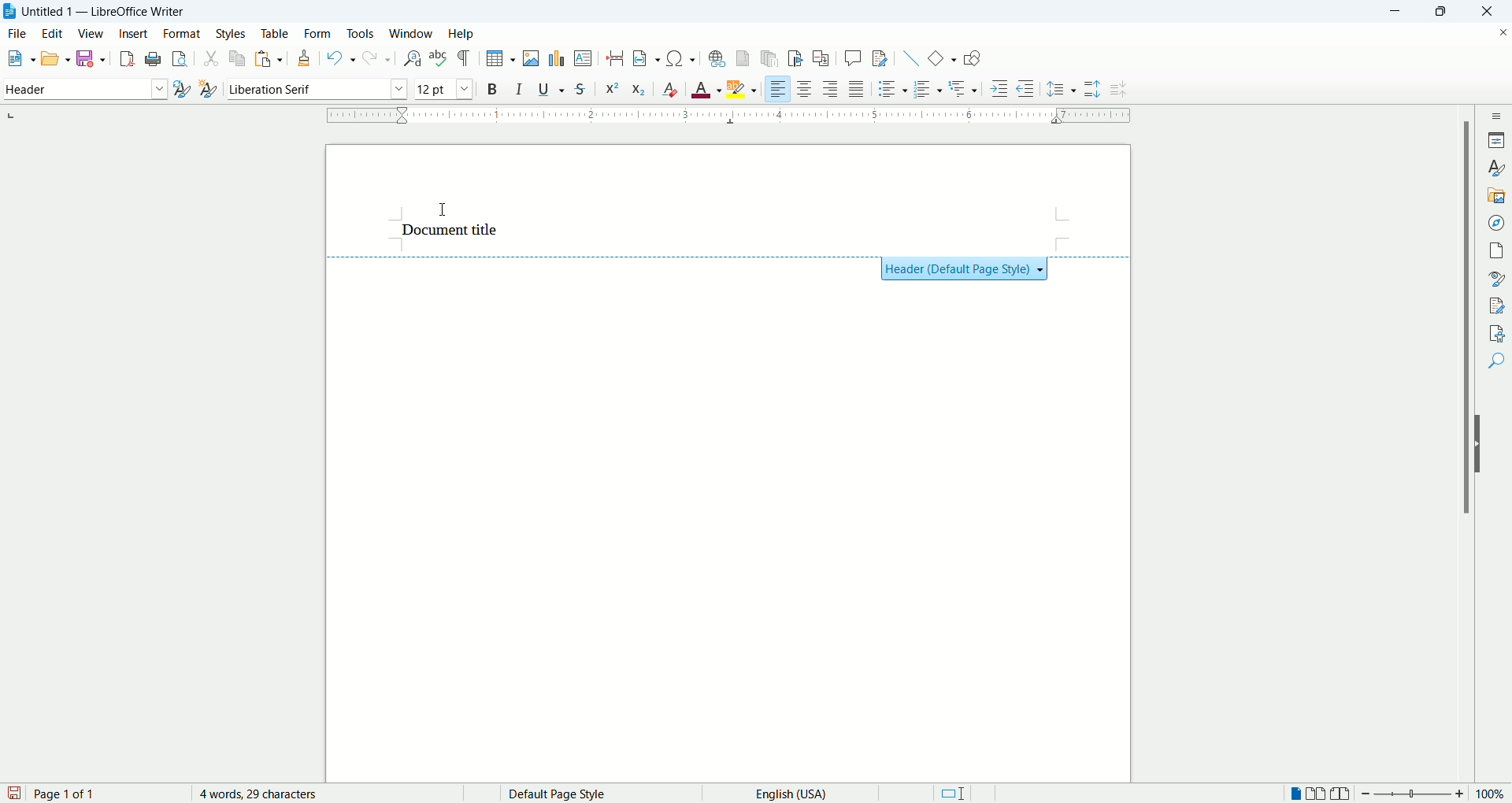 This screenshot has width=1512, height=803. I want to click on Header (Default Page Style) +, so click(967, 268).